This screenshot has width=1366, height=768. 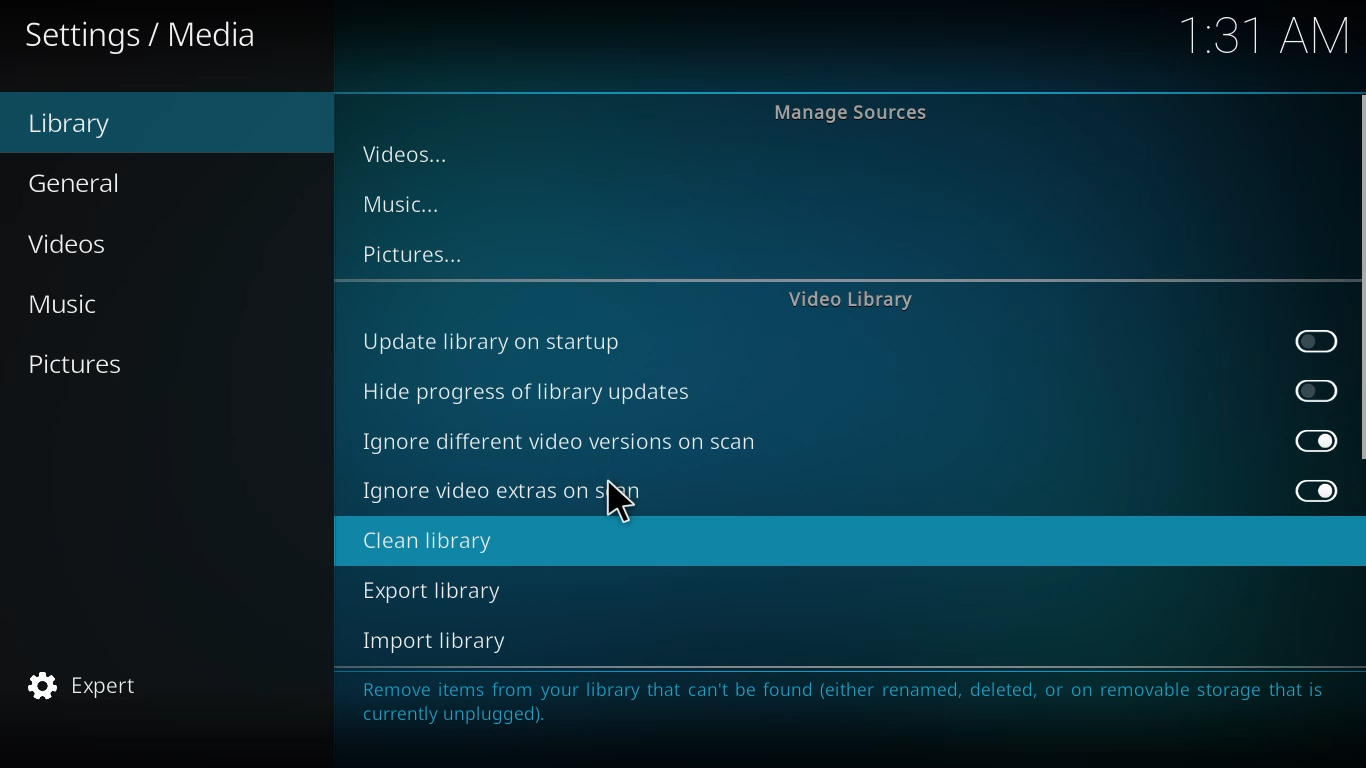 I want to click on import library, so click(x=436, y=641).